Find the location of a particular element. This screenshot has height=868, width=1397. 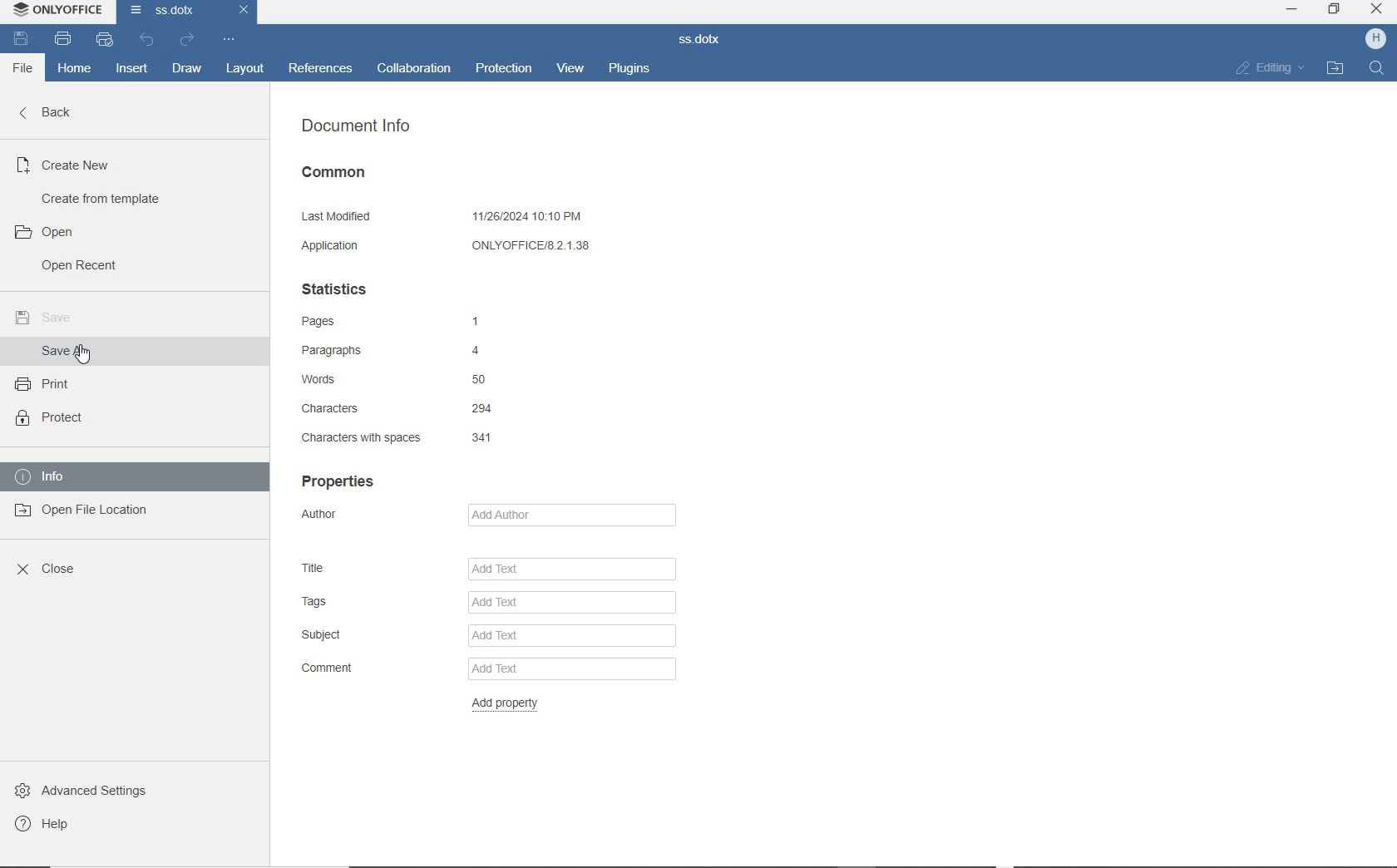

QUICK PRINT is located at coordinates (104, 40).